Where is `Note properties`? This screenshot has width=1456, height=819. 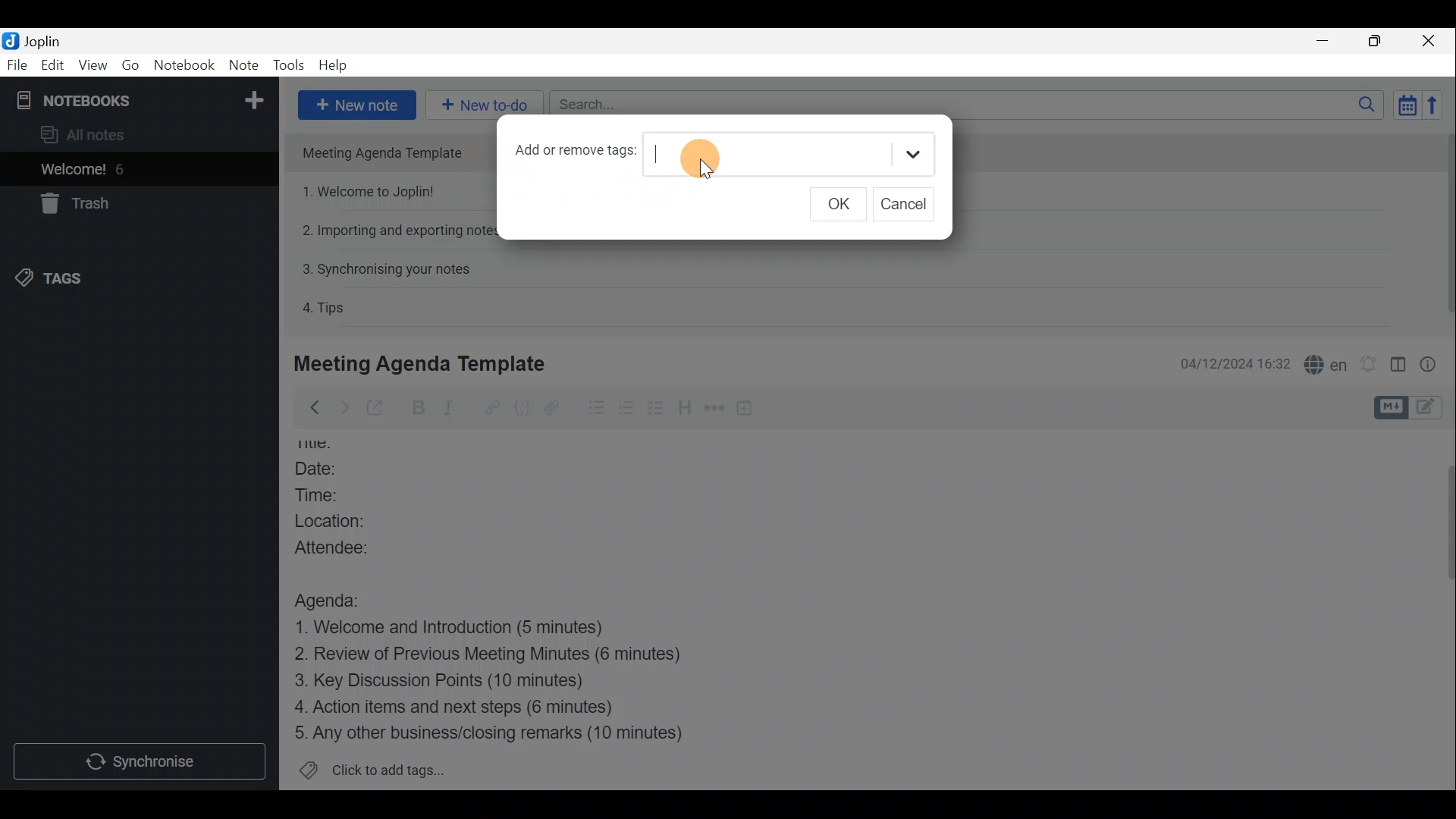 Note properties is located at coordinates (1433, 363).